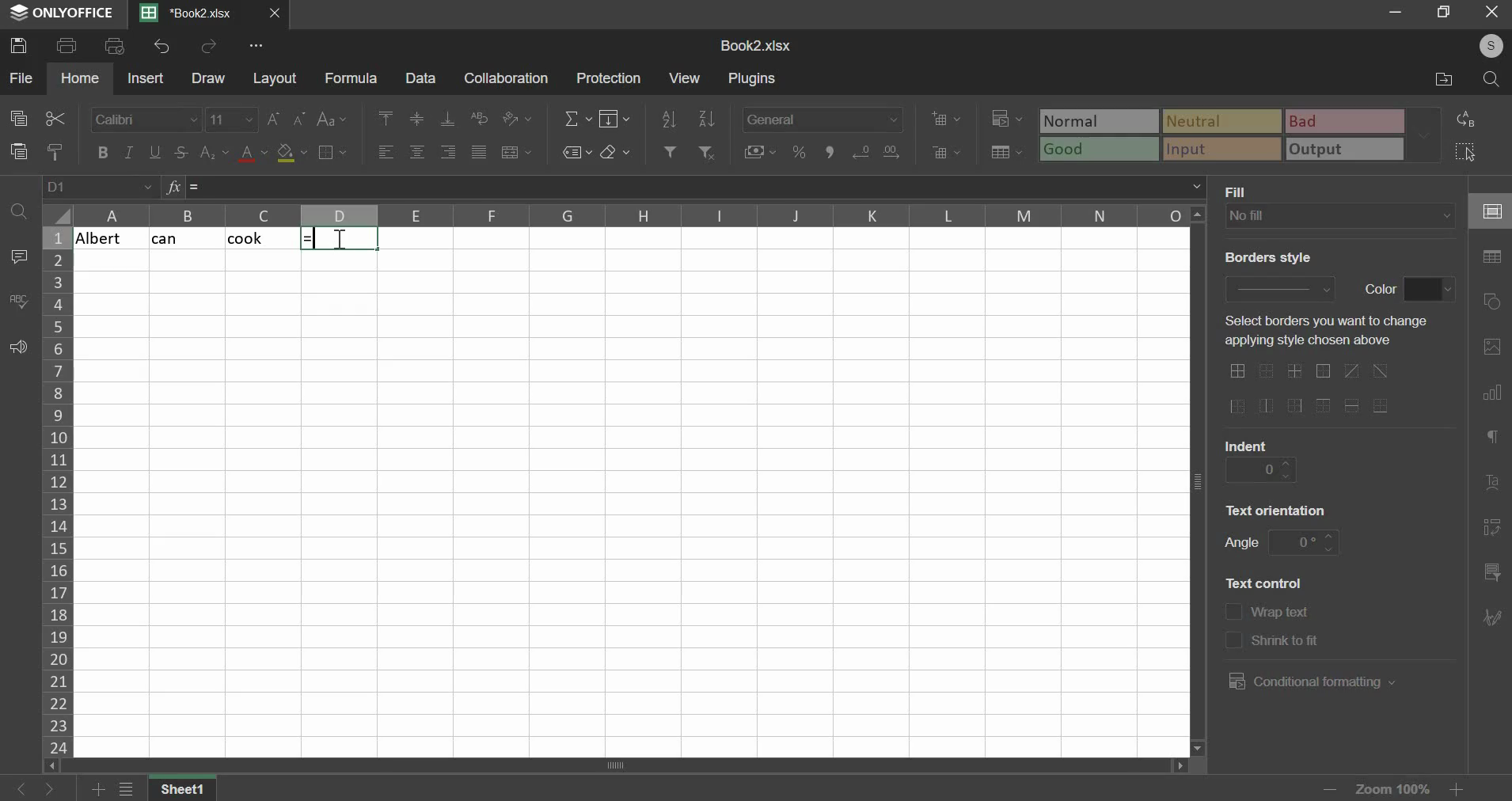 The image size is (1512, 801). What do you see at coordinates (1247, 443) in the screenshot?
I see `text` at bounding box center [1247, 443].